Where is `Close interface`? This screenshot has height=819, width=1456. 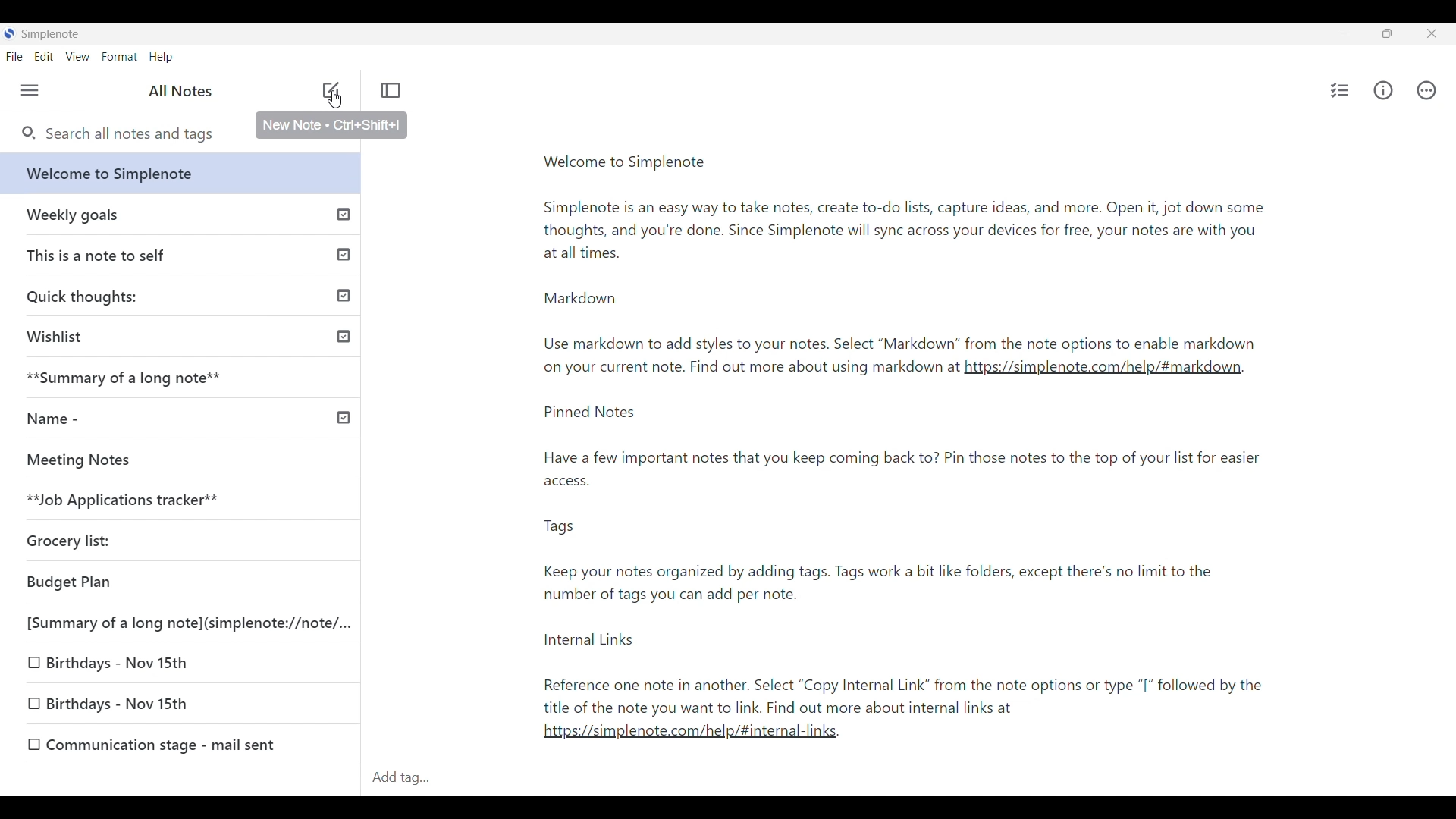
Close interface is located at coordinates (1432, 33).